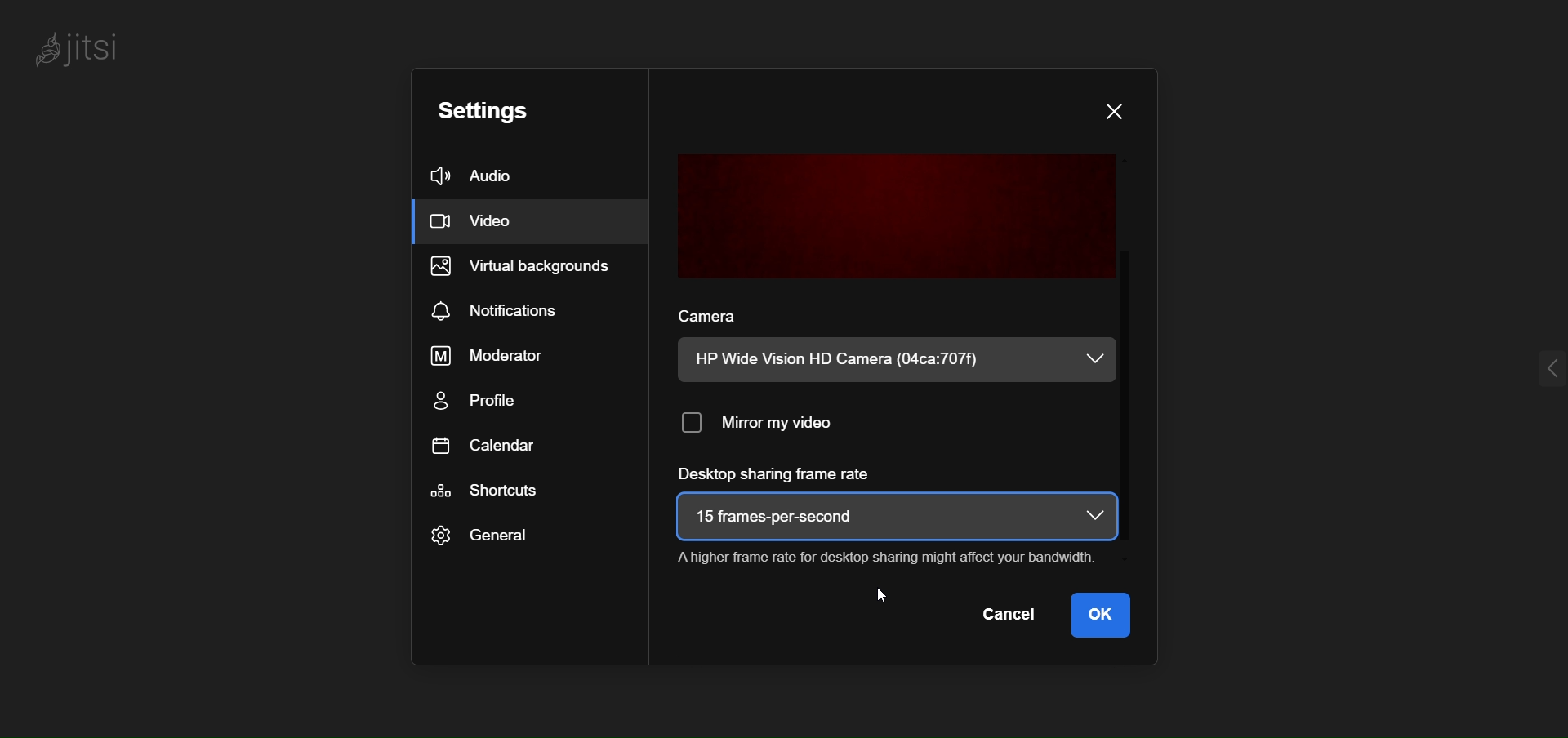 The height and width of the screenshot is (738, 1568). Describe the element at coordinates (488, 491) in the screenshot. I see `shortcut` at that location.